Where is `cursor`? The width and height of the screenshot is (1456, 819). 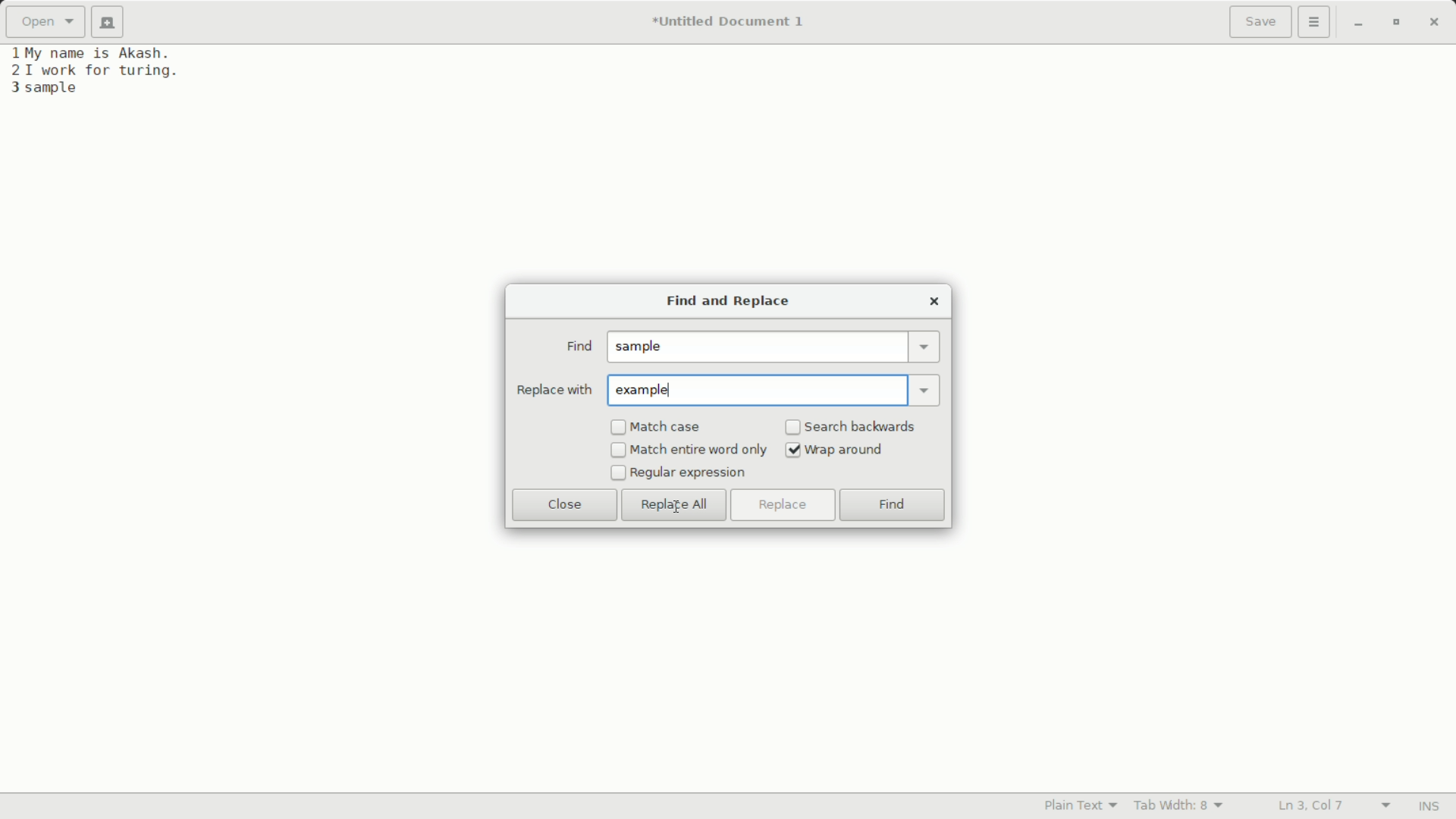
cursor is located at coordinates (679, 506).